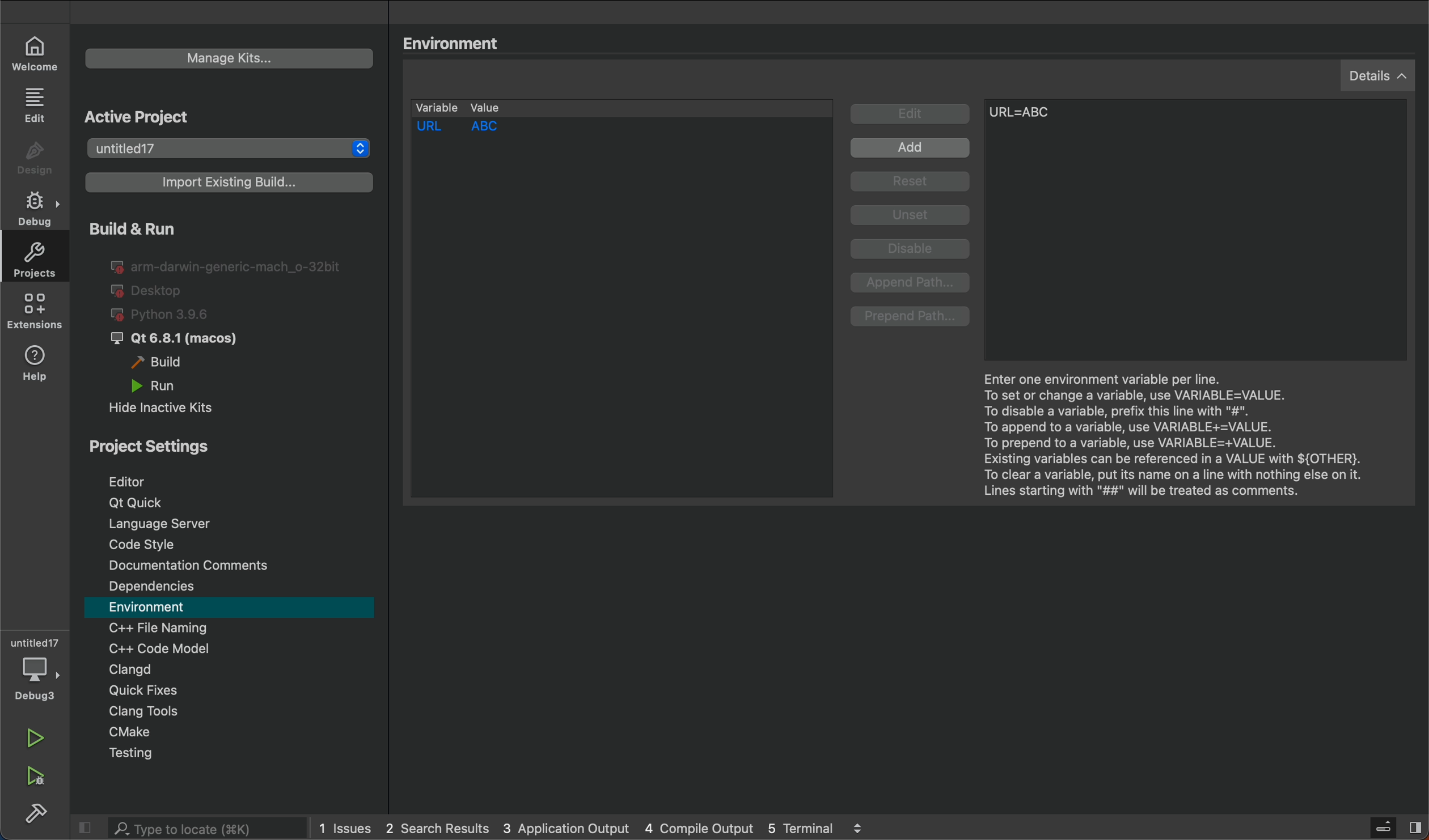  What do you see at coordinates (171, 228) in the screenshot?
I see `Build & Run` at bounding box center [171, 228].